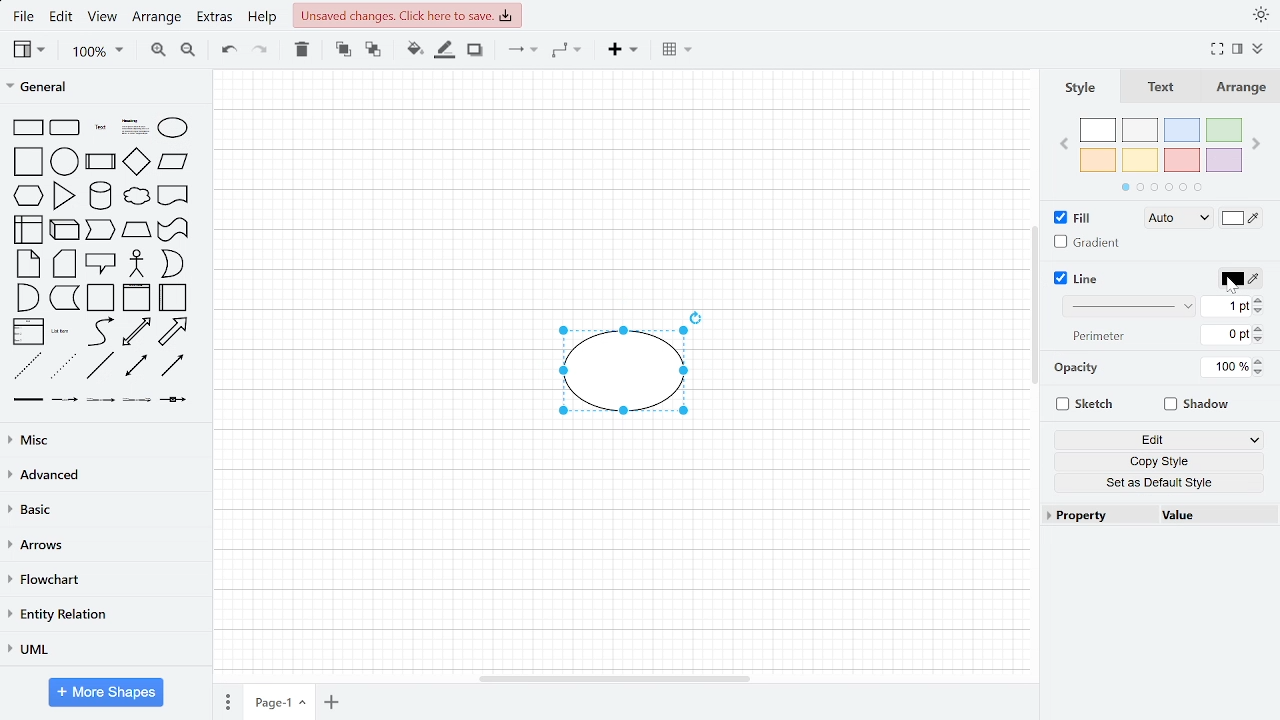 Image resolution: width=1280 pixels, height=720 pixels. Describe the element at coordinates (301, 51) in the screenshot. I see `delete` at that location.